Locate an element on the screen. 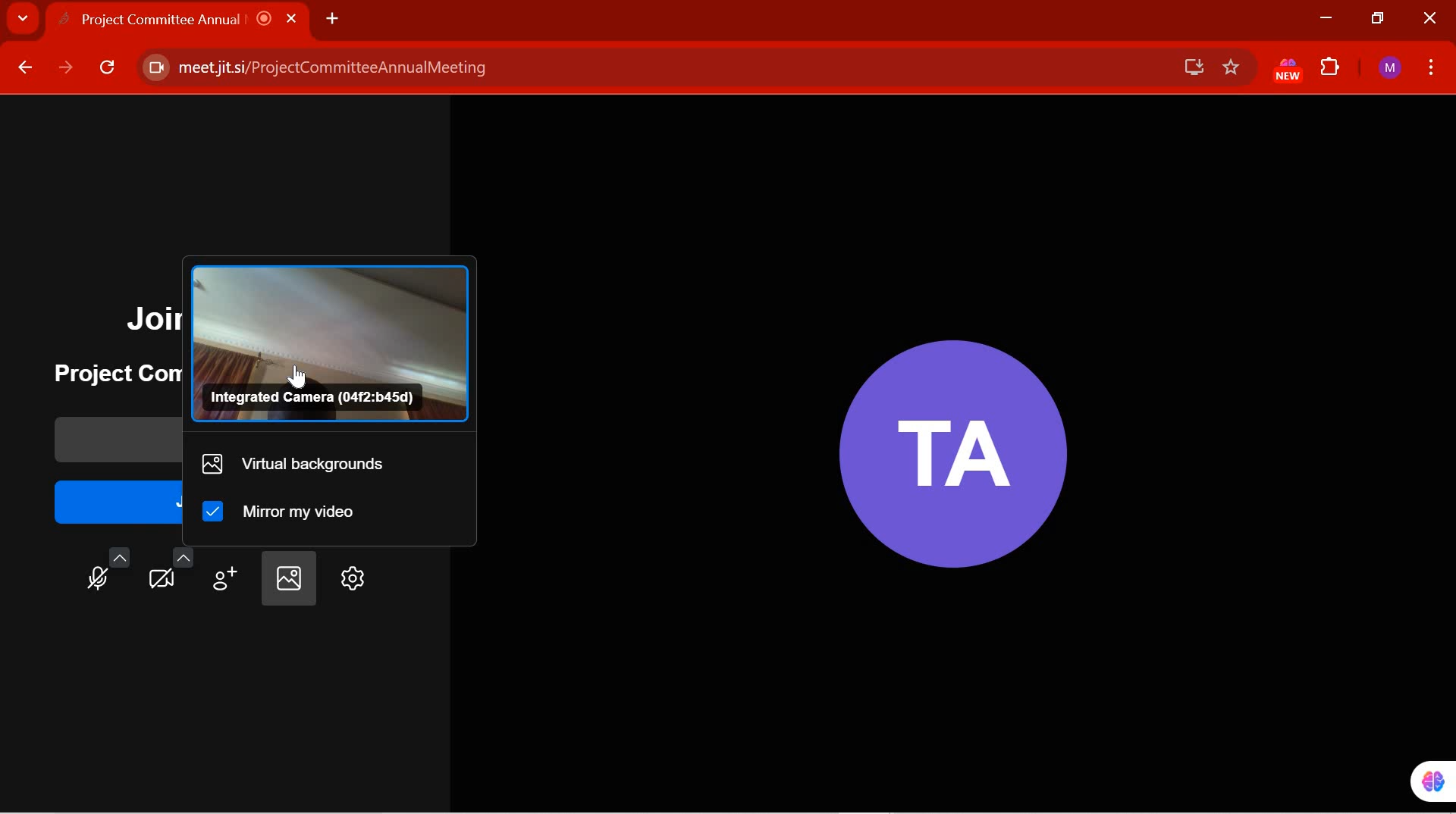 This screenshot has width=1456, height=814. CLOSE is located at coordinates (1427, 19).